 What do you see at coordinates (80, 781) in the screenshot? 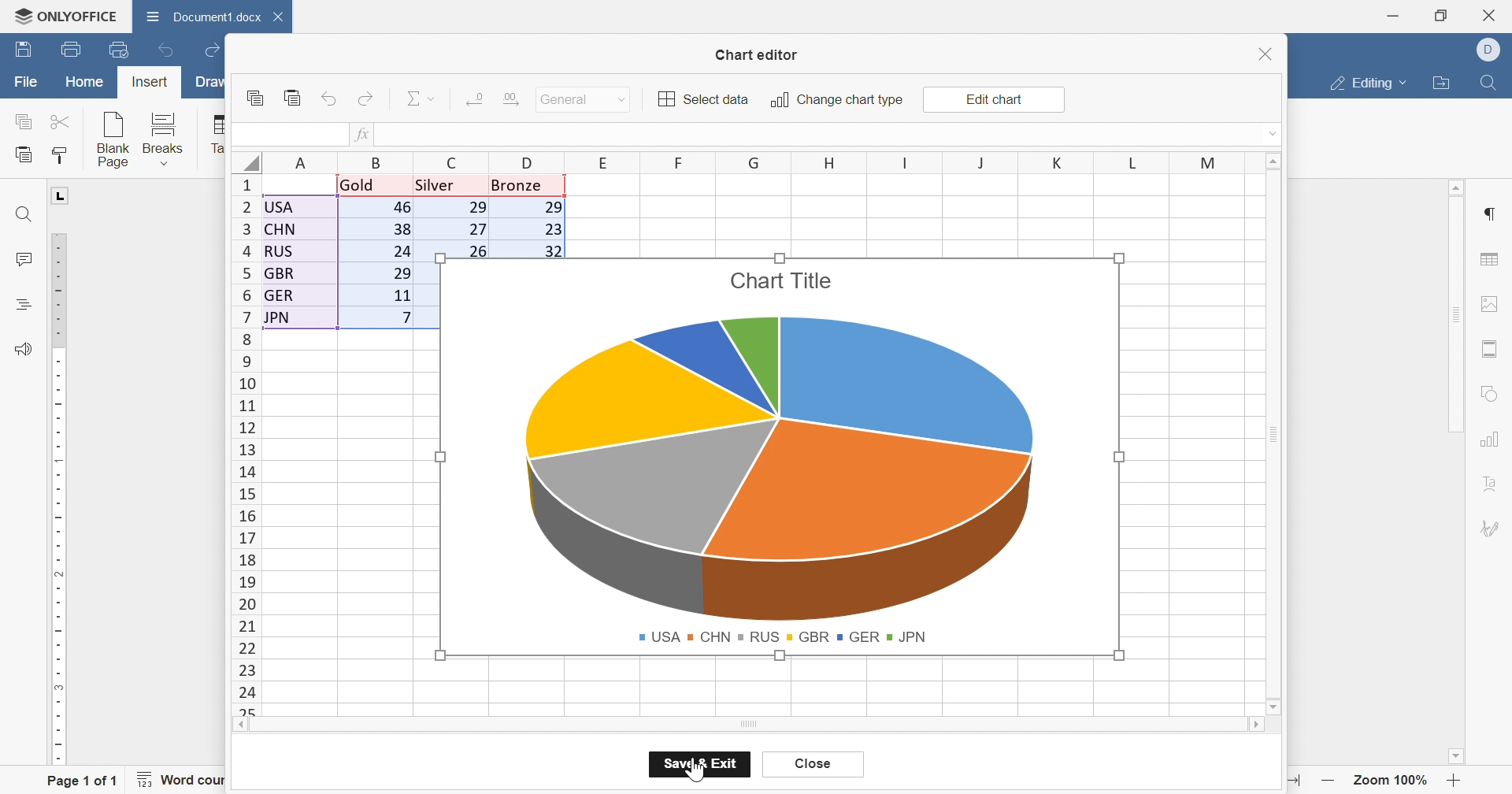
I see `Page 1 of 1` at bounding box center [80, 781].